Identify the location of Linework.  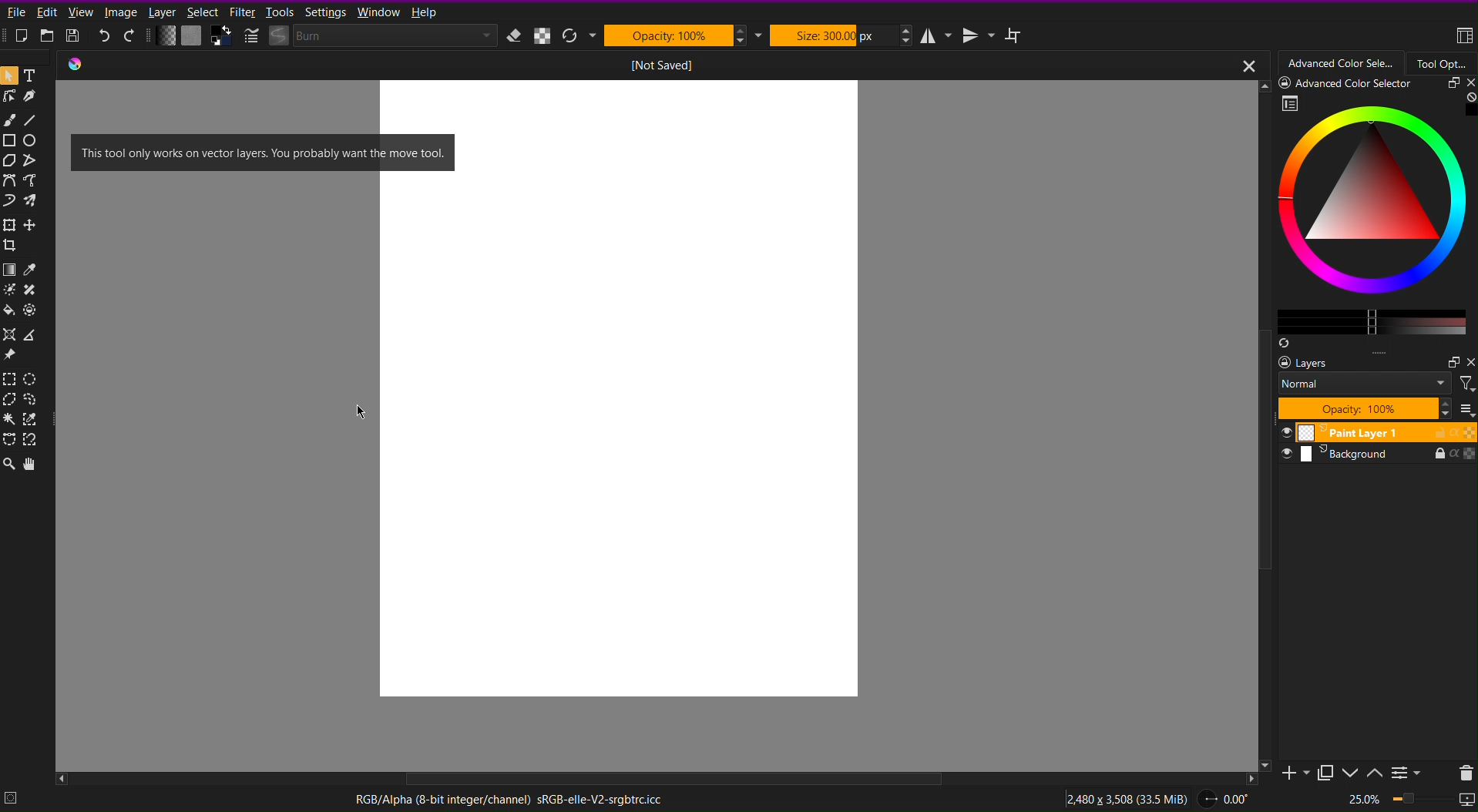
(9, 100).